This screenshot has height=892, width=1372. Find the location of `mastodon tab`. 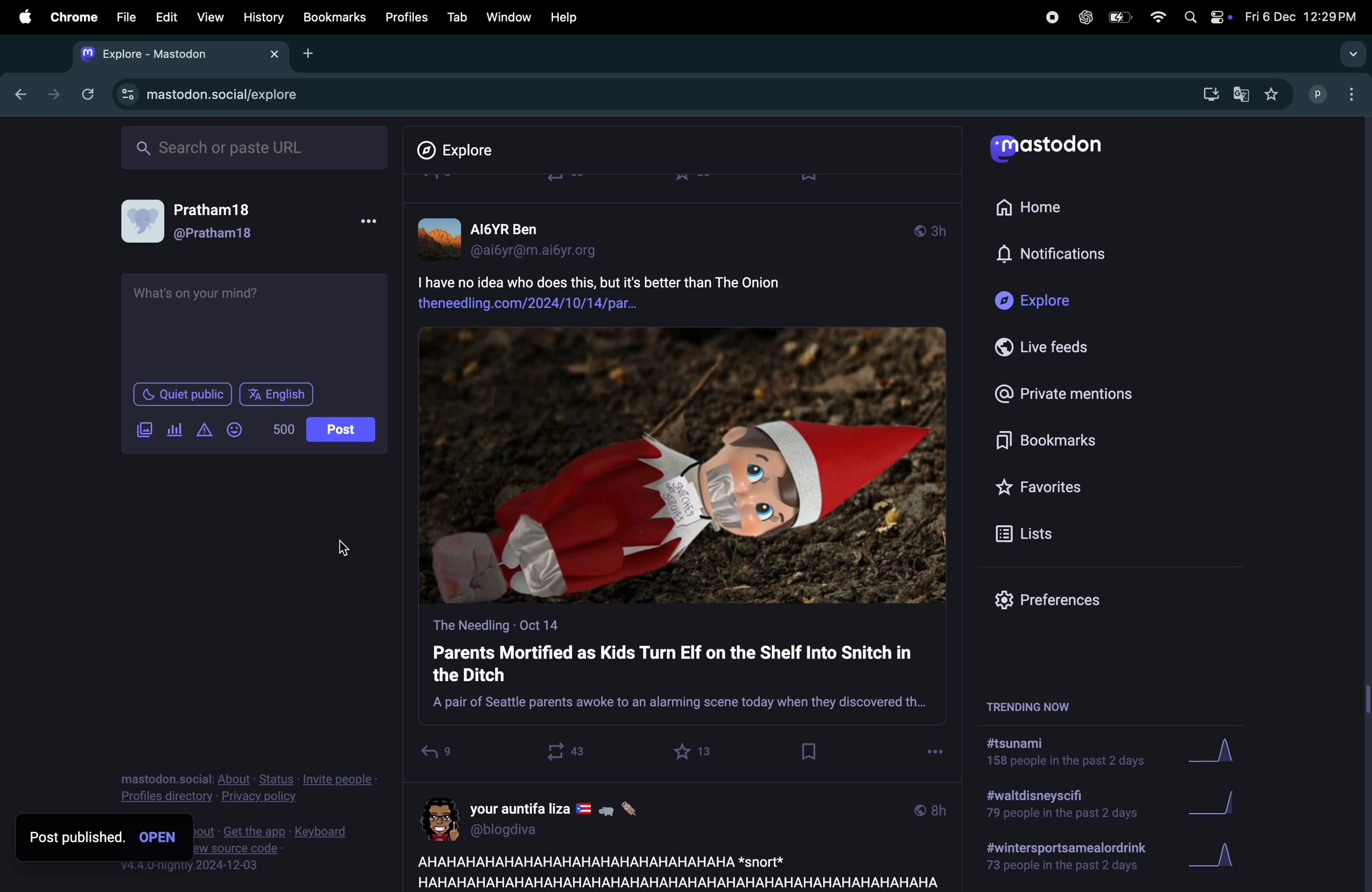

mastodon tab is located at coordinates (174, 54).